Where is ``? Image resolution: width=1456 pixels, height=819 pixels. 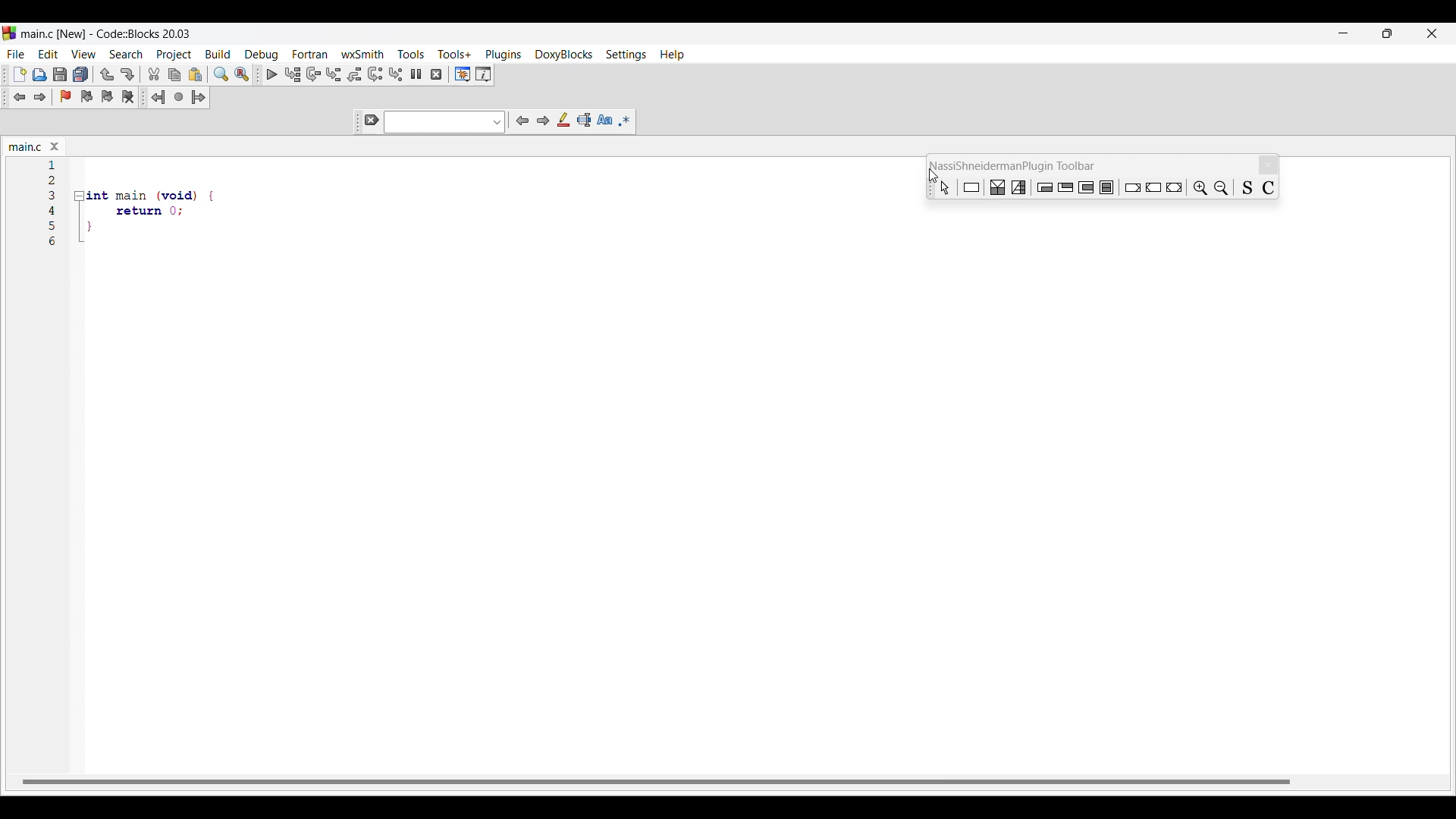
 is located at coordinates (1000, 187).